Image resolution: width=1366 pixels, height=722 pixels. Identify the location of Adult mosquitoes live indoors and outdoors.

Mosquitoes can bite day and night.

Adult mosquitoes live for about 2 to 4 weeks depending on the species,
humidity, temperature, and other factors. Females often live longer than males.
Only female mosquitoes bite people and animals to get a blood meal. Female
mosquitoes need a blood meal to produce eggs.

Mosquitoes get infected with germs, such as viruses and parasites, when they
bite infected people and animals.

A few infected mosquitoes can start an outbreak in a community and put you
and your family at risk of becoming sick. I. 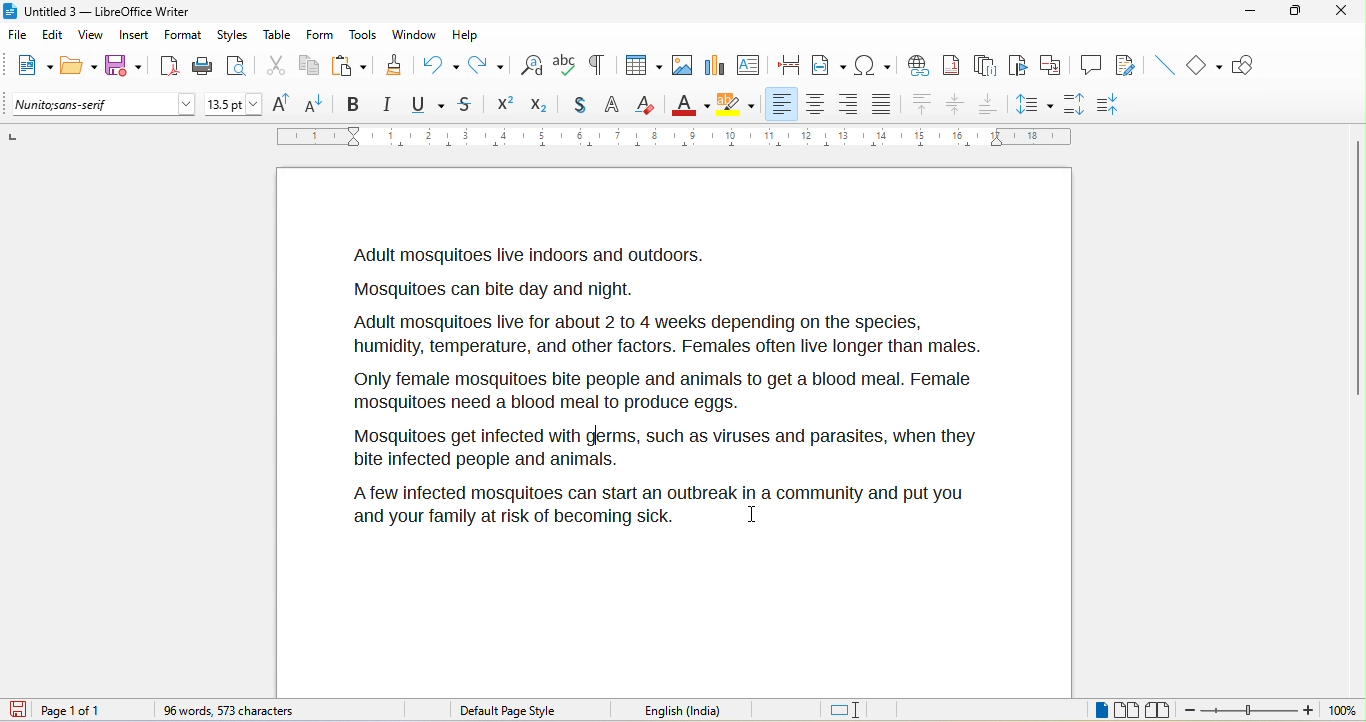
(670, 384).